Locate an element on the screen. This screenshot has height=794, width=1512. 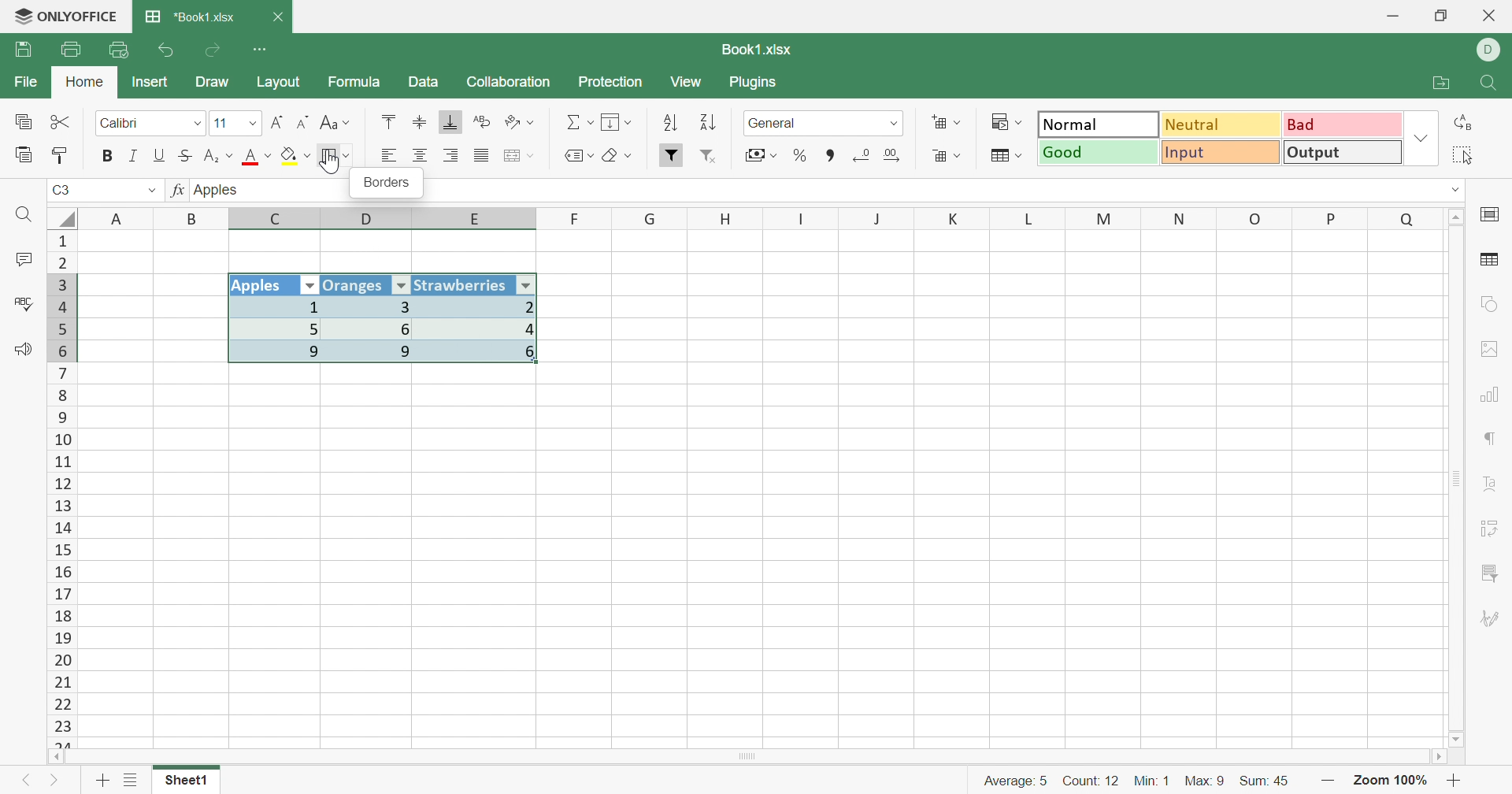
D is located at coordinates (369, 219).